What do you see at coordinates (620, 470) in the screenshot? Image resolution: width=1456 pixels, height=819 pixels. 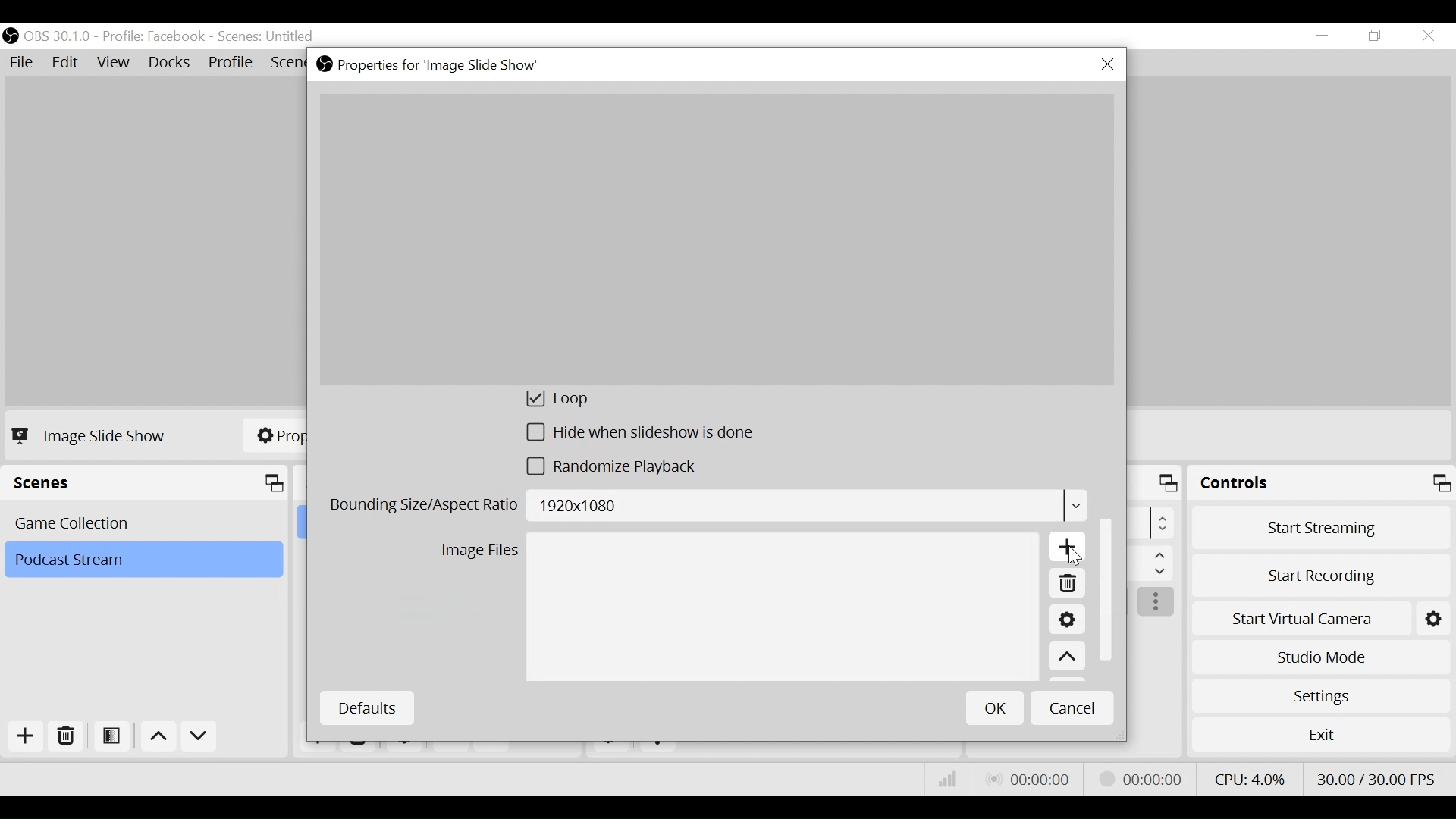 I see `(un)select randomize playback` at bounding box center [620, 470].